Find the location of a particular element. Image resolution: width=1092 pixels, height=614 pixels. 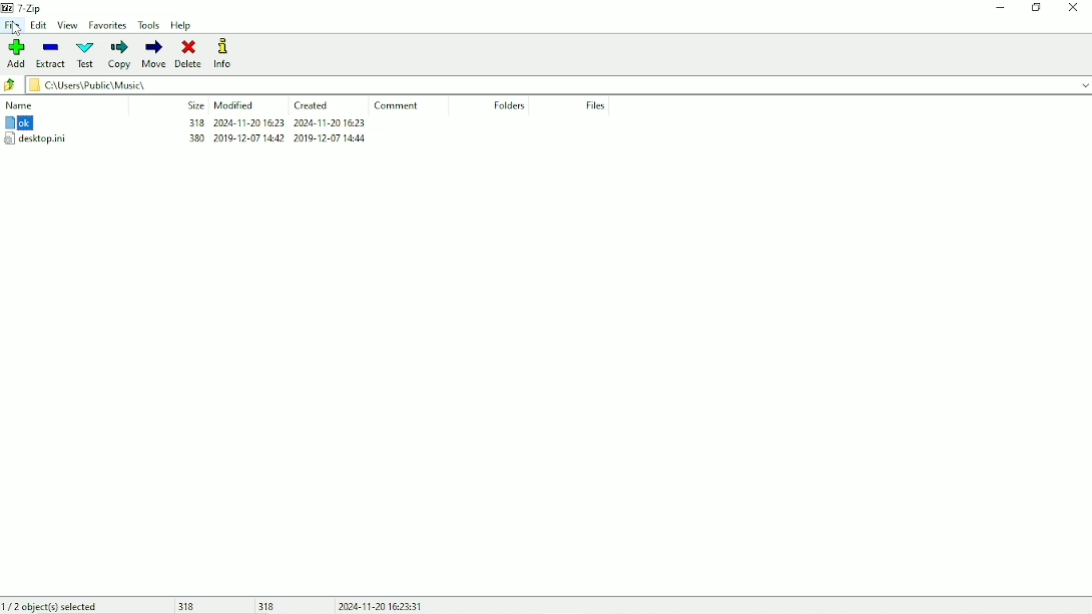

Delete is located at coordinates (189, 54).